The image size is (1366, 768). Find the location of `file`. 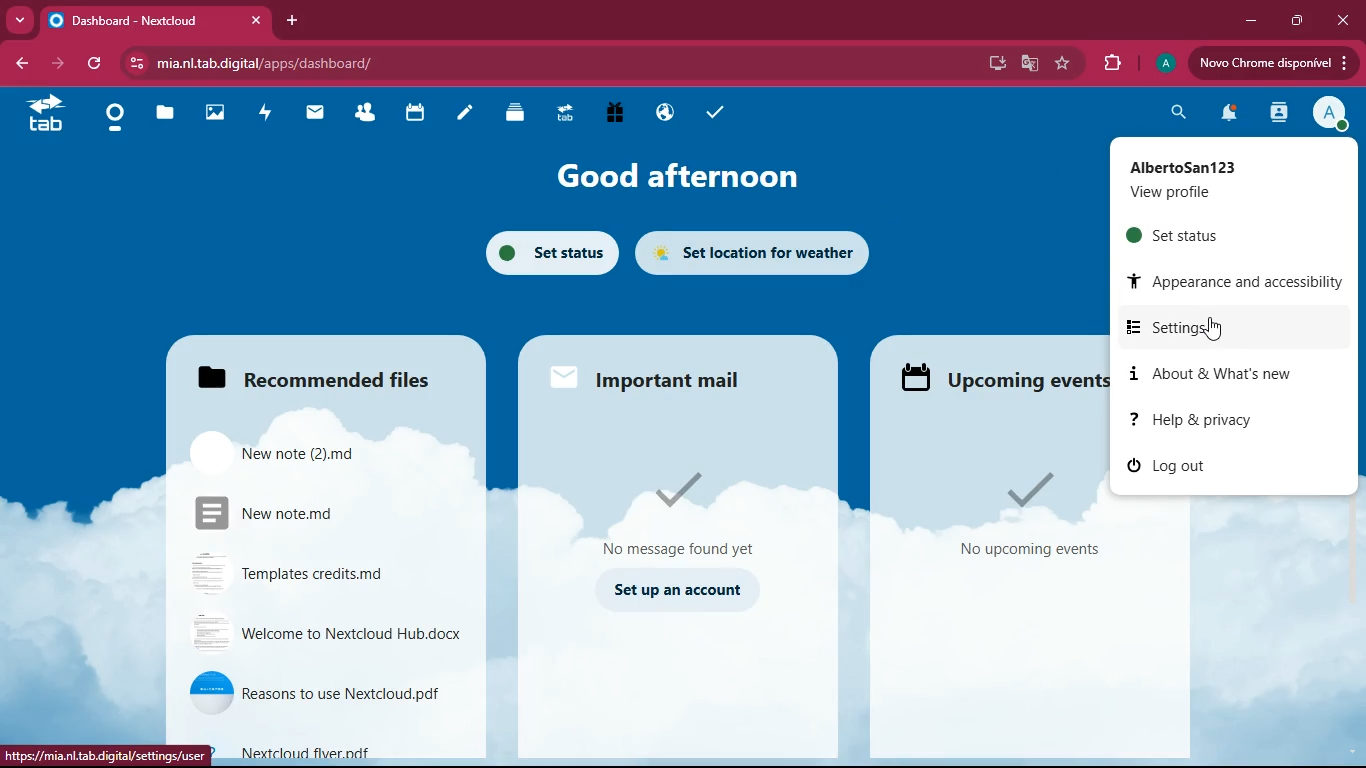

file is located at coordinates (343, 750).